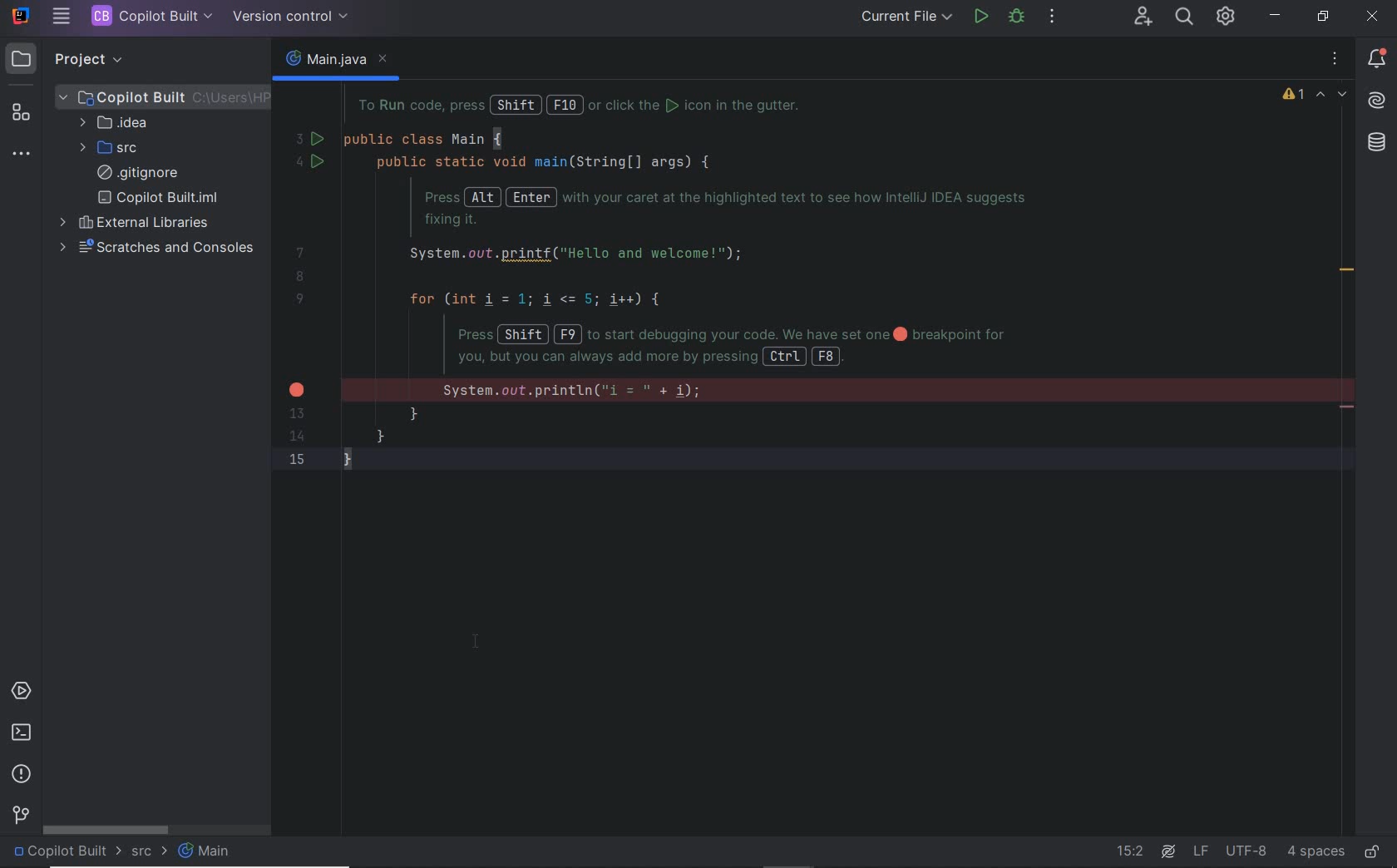  What do you see at coordinates (334, 58) in the screenshot?
I see `main.java` at bounding box center [334, 58].